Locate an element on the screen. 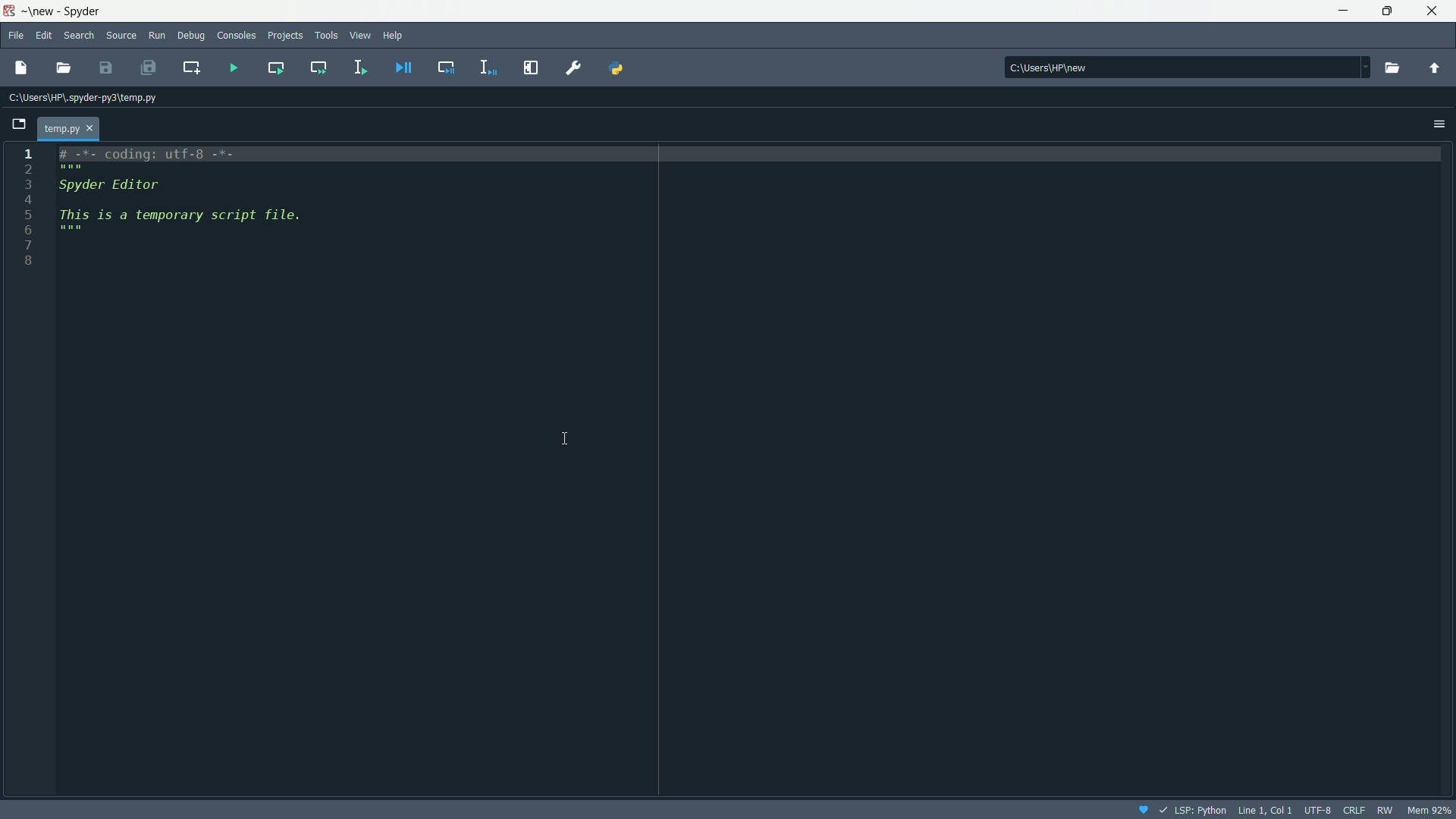  Run file (F5) is located at coordinates (227, 65).